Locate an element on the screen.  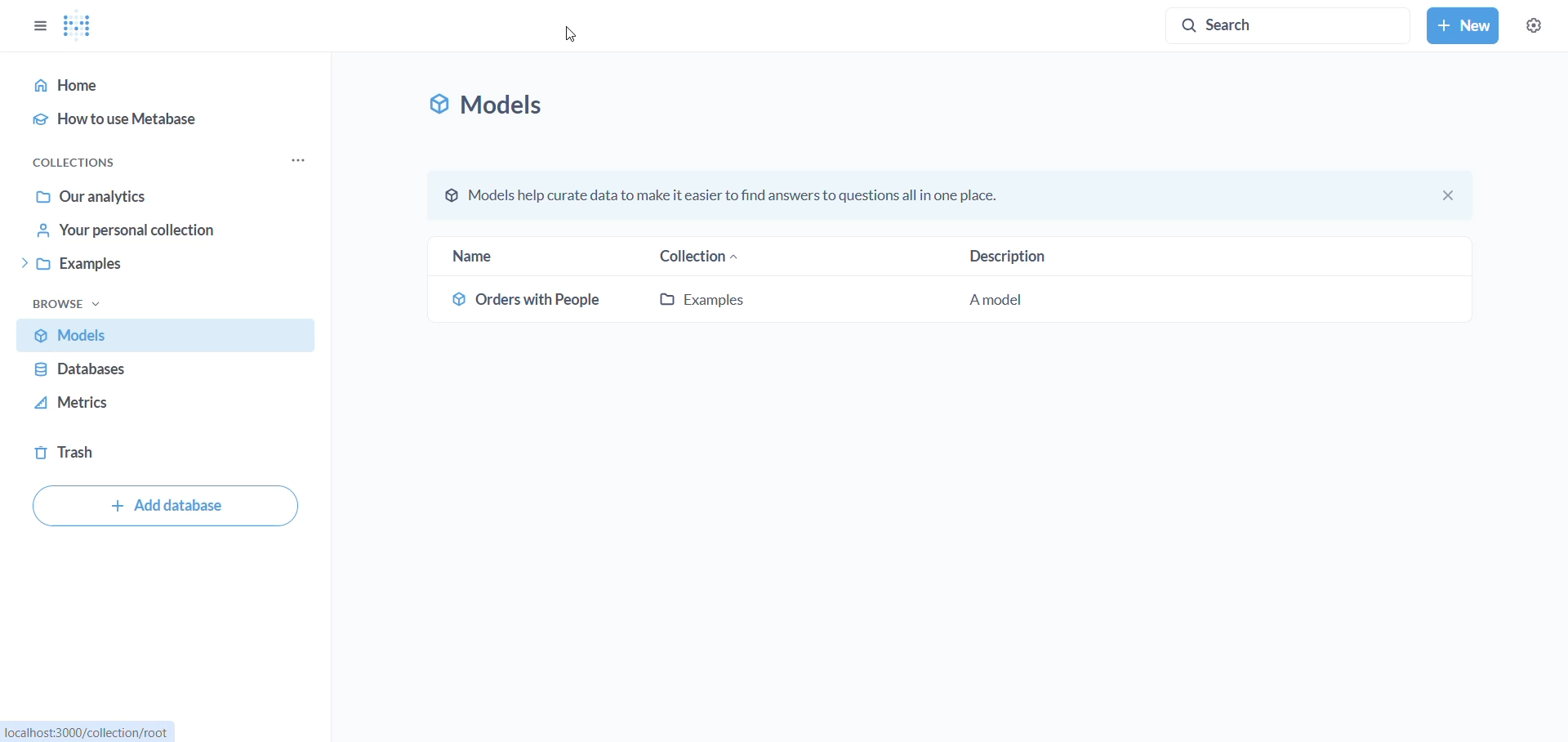
example is located at coordinates (160, 266).